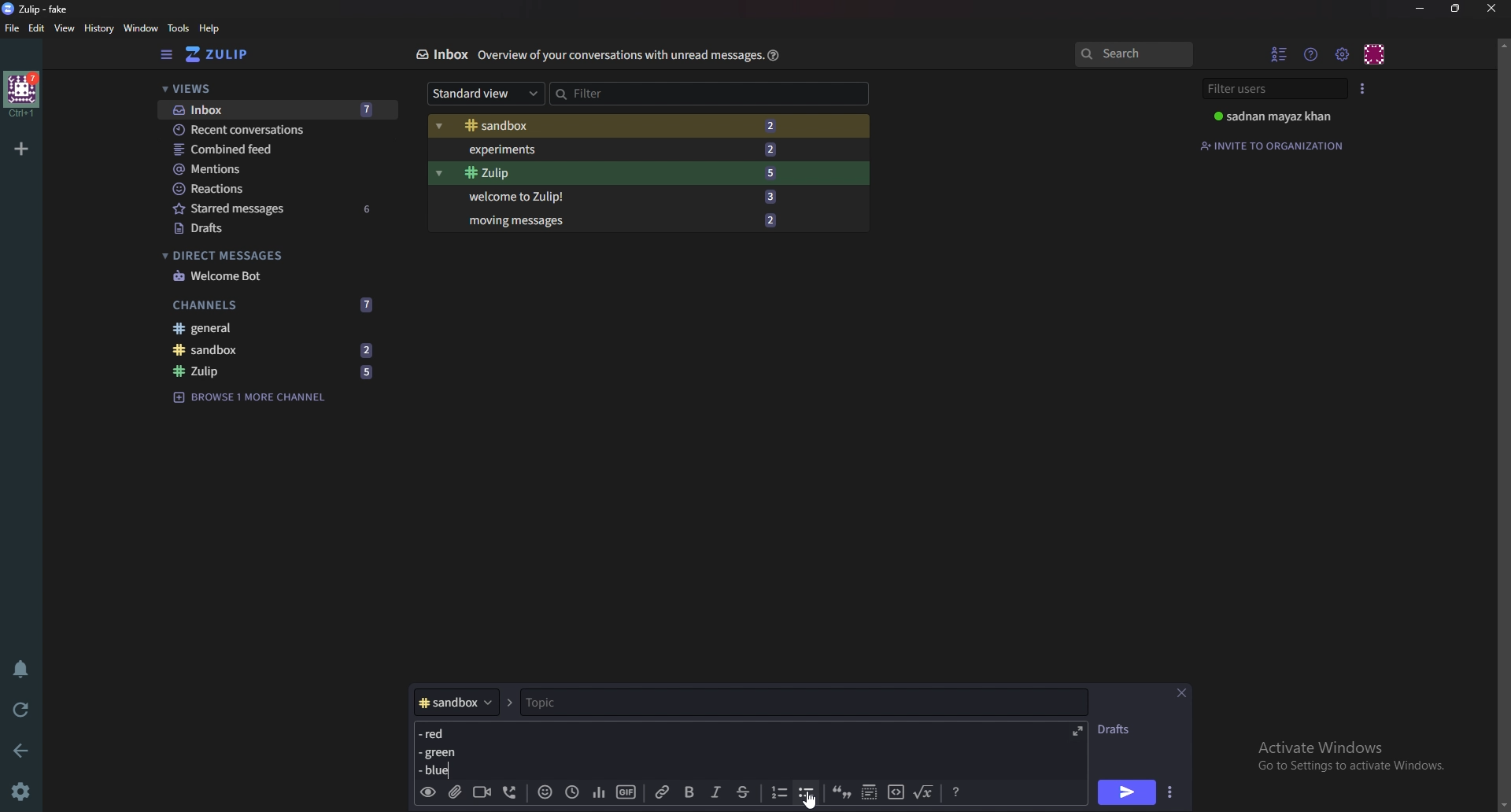 This screenshot has width=1511, height=812. I want to click on Tools, so click(179, 28).